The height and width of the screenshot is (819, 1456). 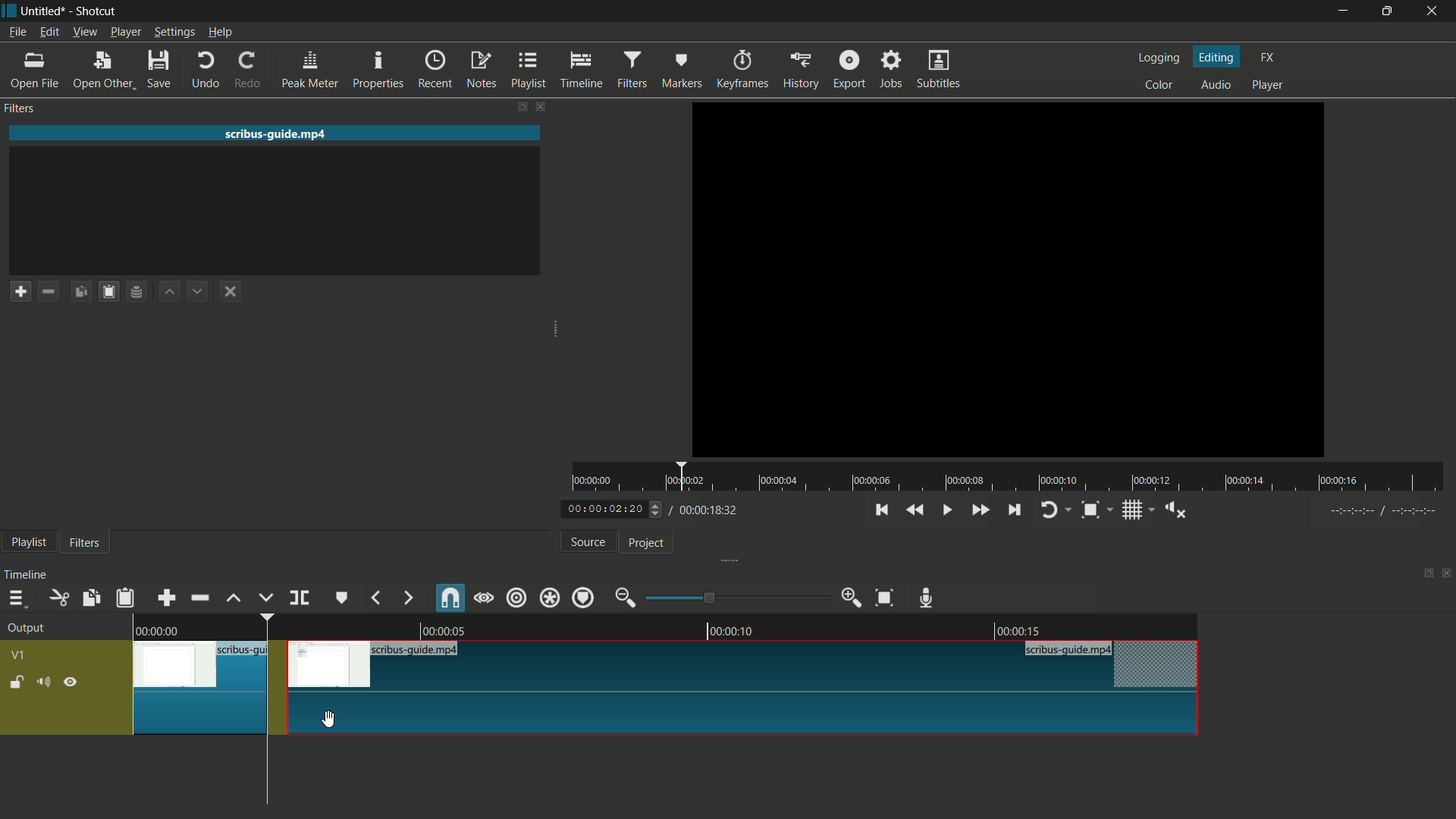 I want to click on zoom in, so click(x=850, y=598).